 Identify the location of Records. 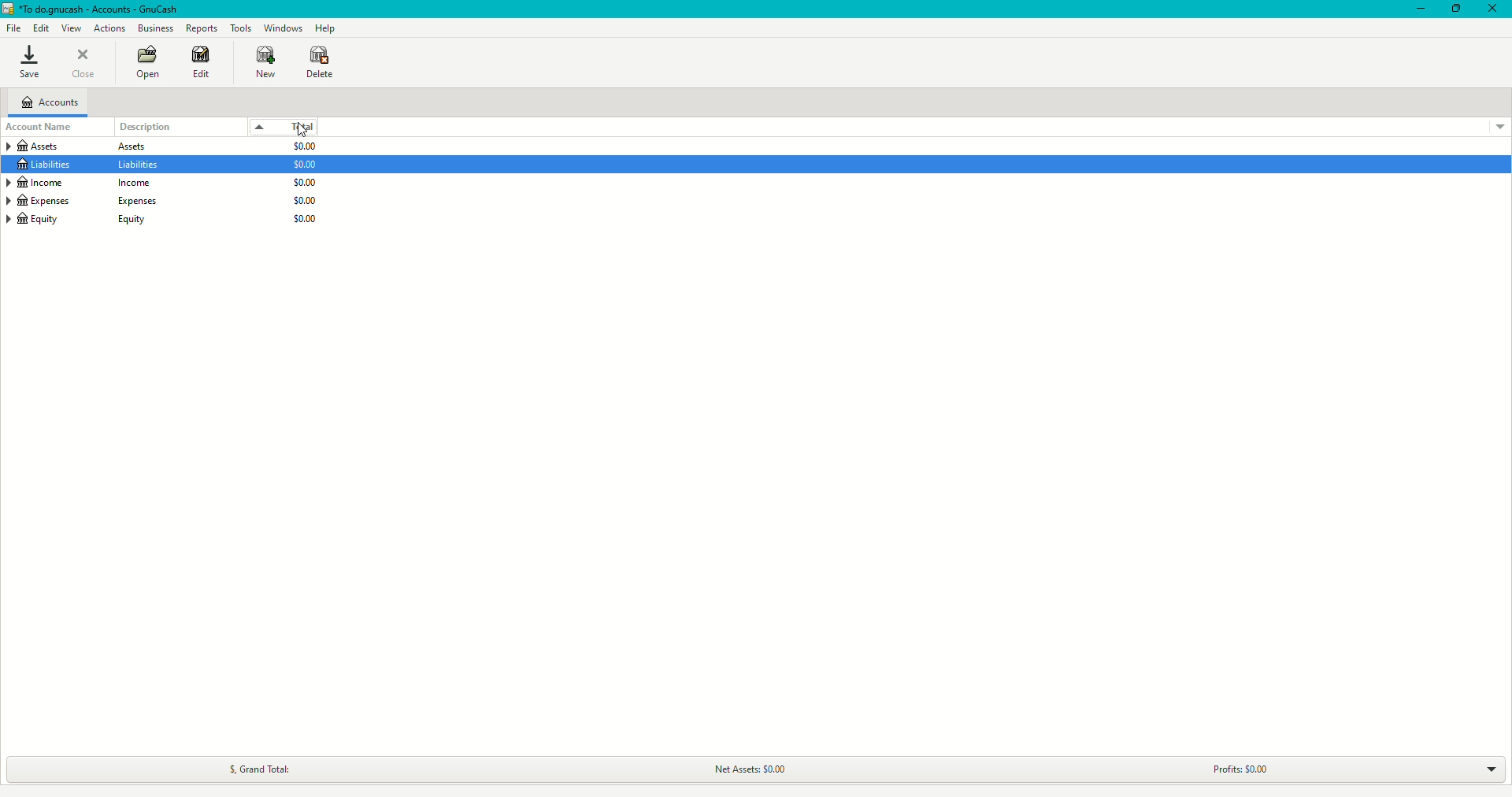
(202, 28).